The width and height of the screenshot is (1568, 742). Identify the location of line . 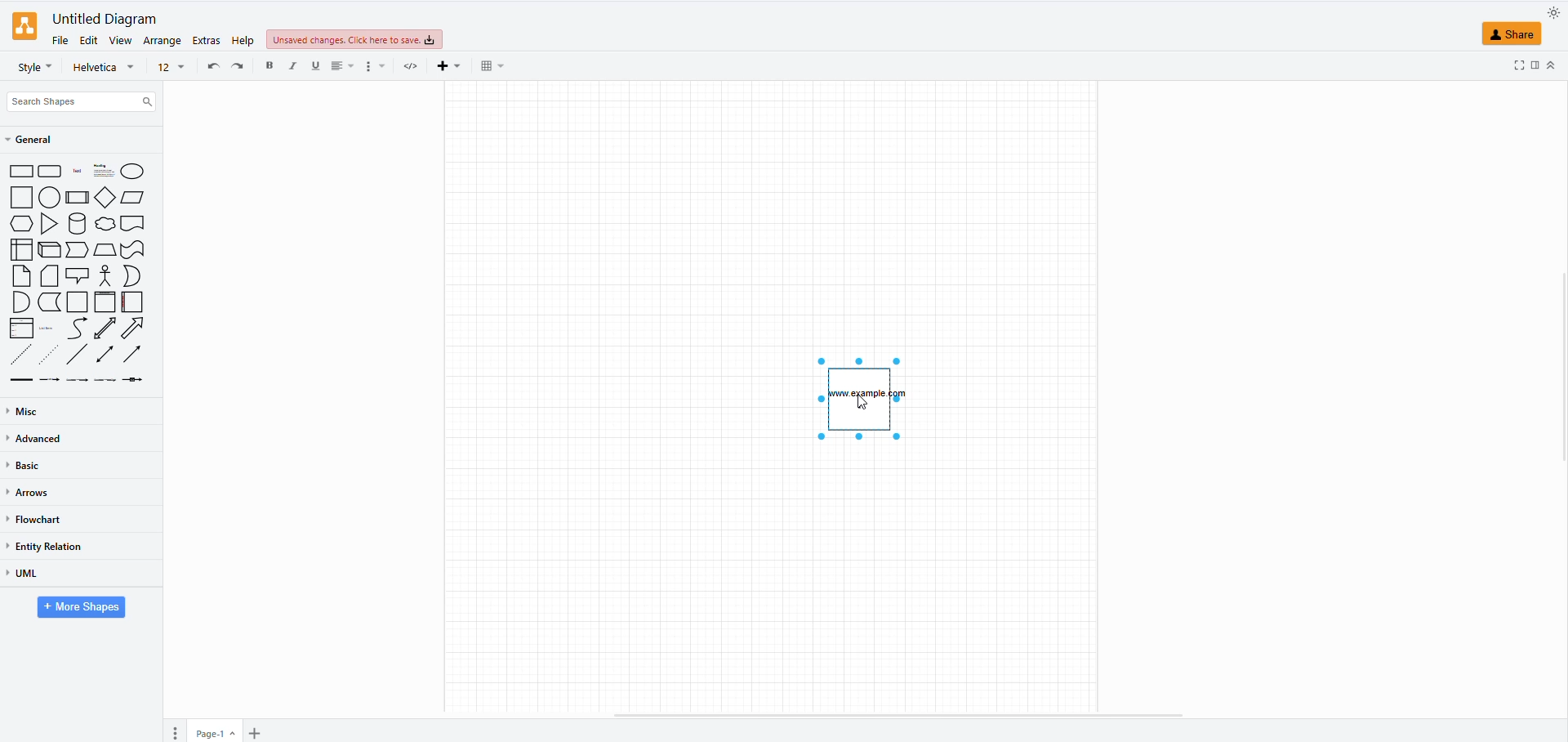
(78, 355).